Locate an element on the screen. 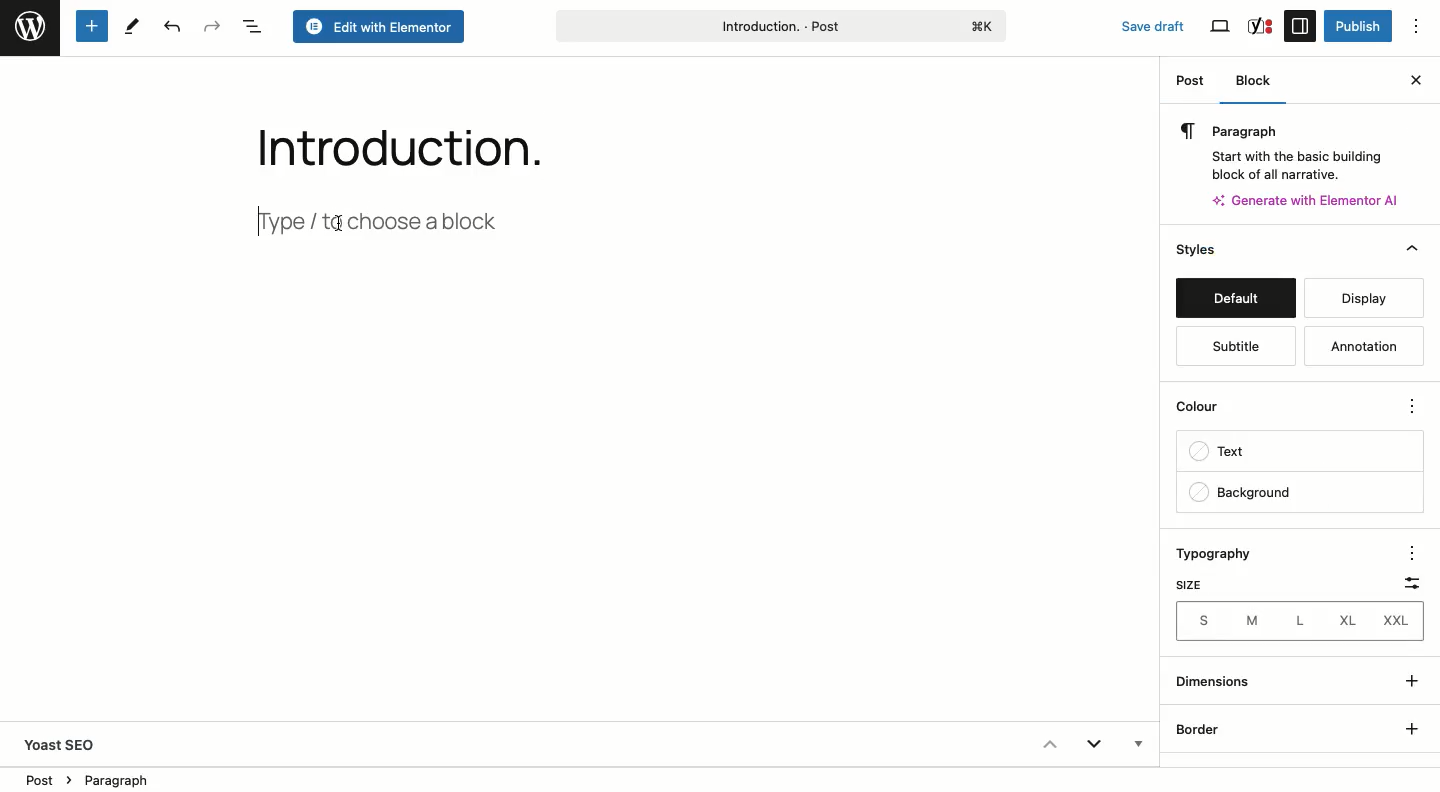 Image resolution: width=1440 pixels, height=792 pixels. Annotation is located at coordinates (1366, 347).